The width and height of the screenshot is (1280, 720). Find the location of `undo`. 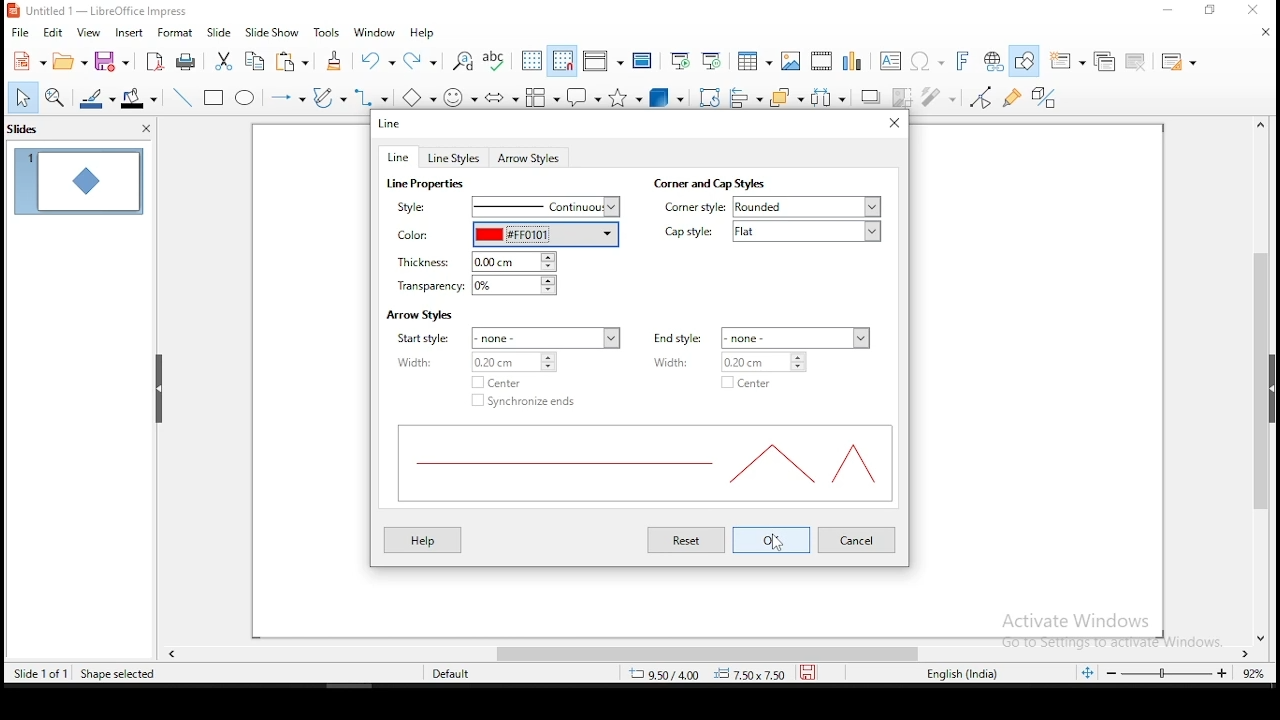

undo is located at coordinates (378, 60).